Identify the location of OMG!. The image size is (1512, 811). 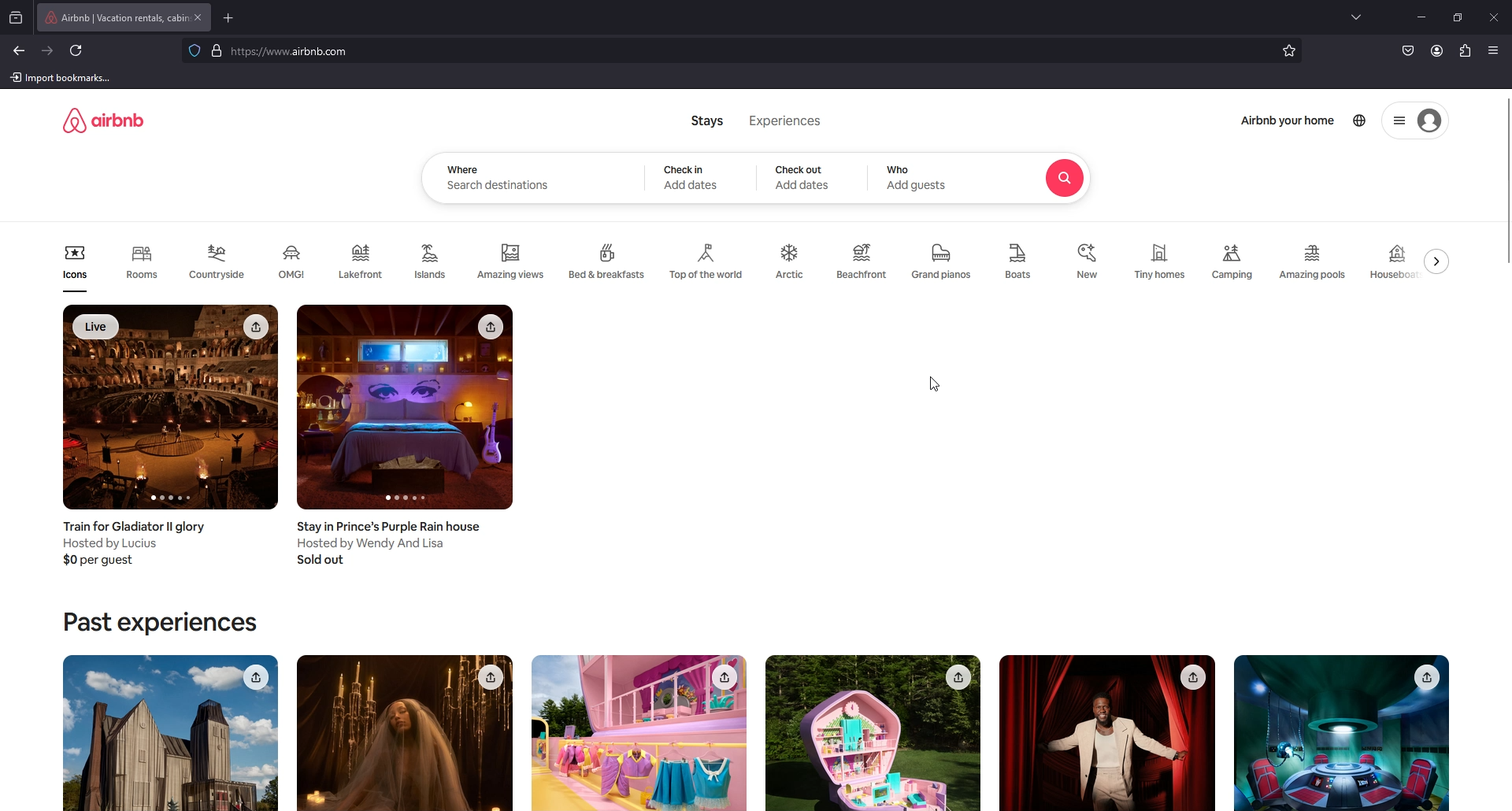
(295, 262).